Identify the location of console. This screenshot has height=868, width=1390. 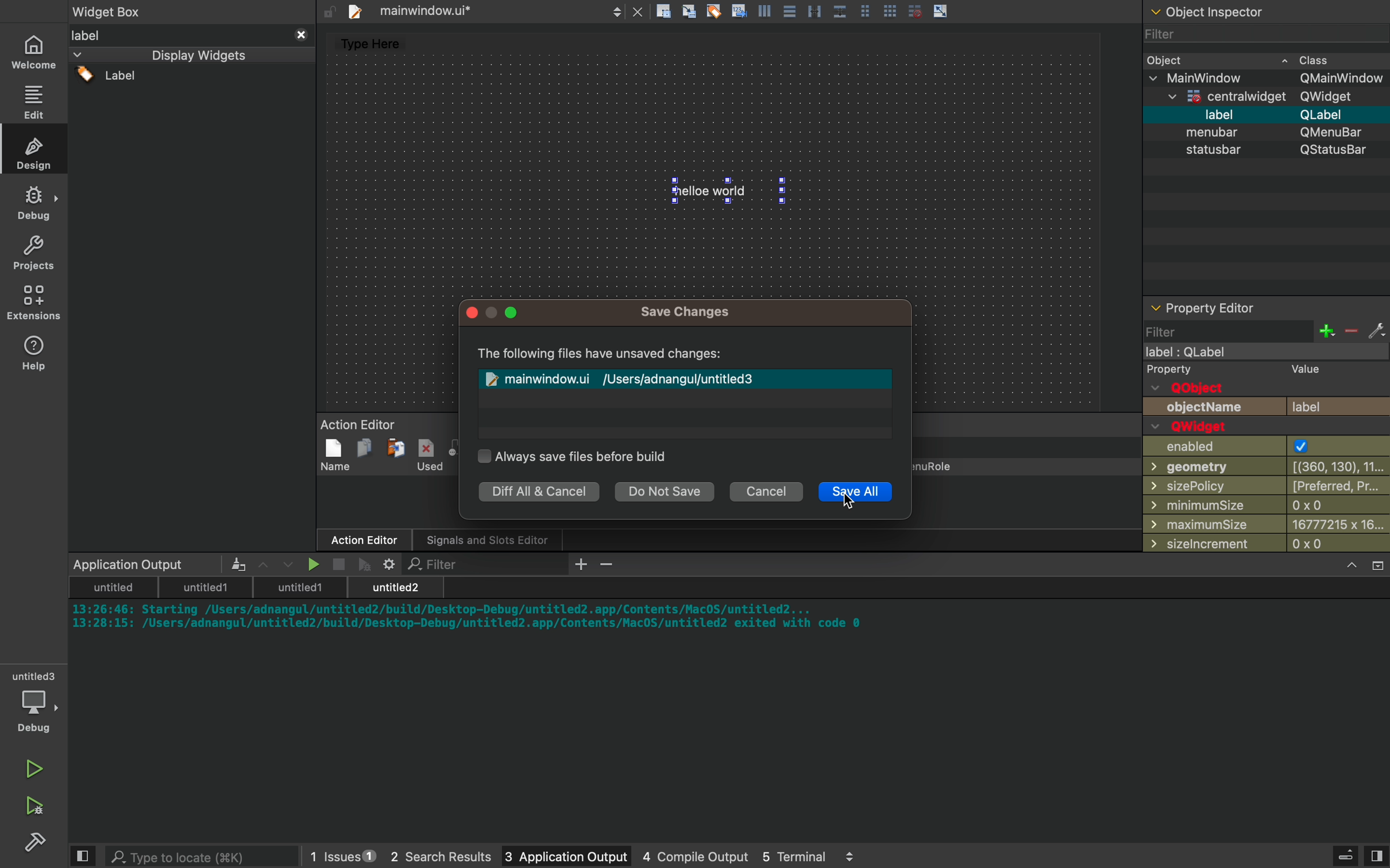
(732, 699).